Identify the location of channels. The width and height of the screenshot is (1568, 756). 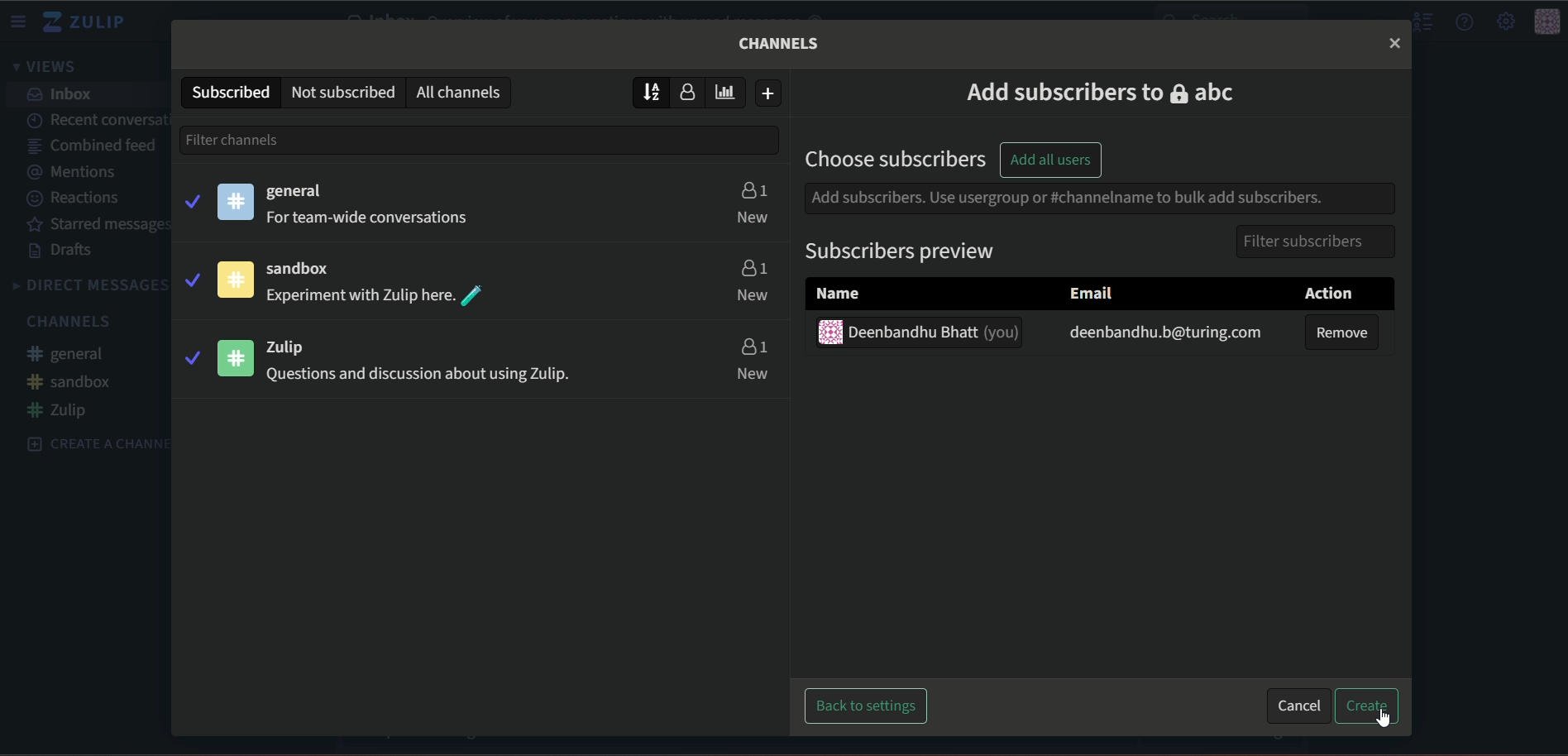
(73, 321).